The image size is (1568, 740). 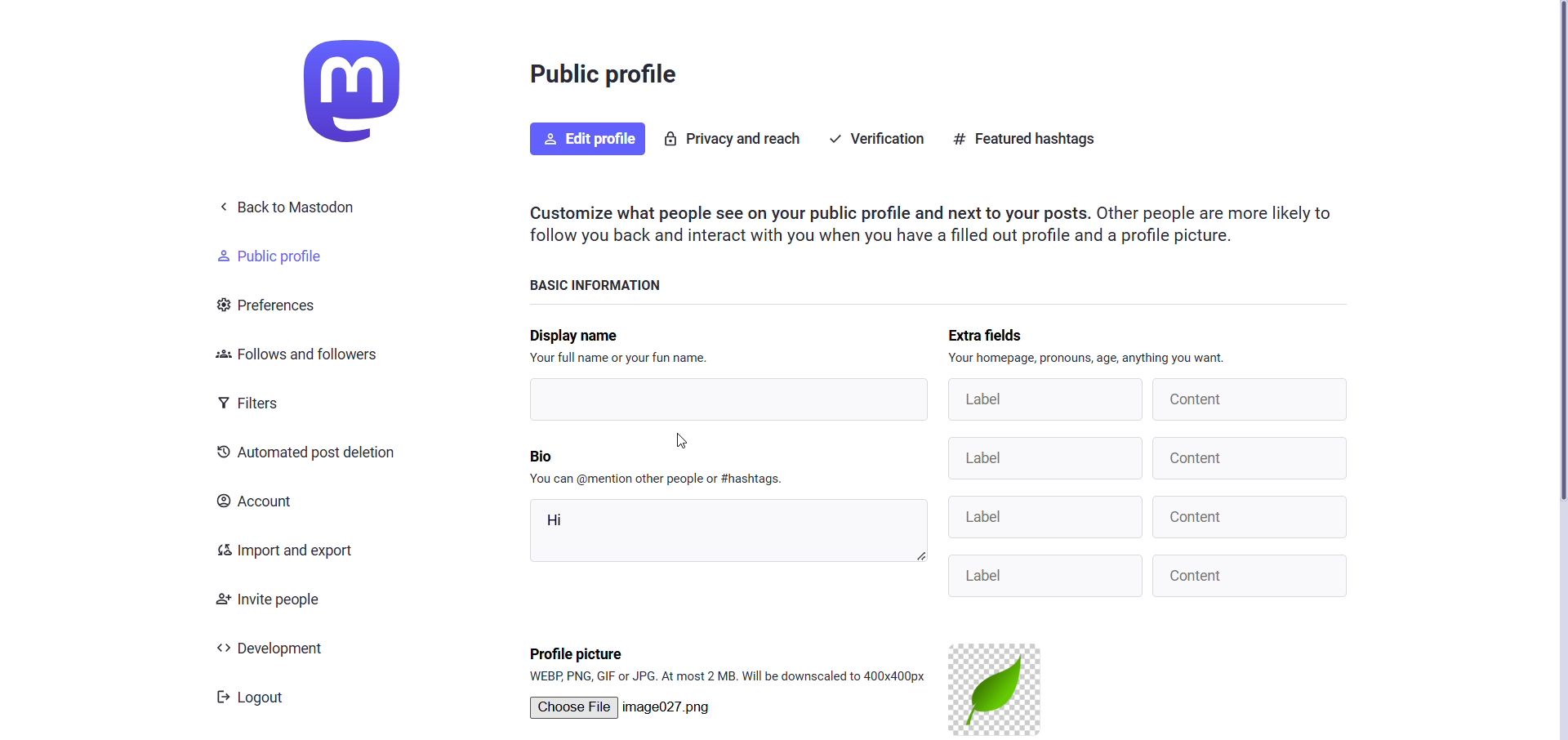 What do you see at coordinates (1249, 399) in the screenshot?
I see `content` at bounding box center [1249, 399].